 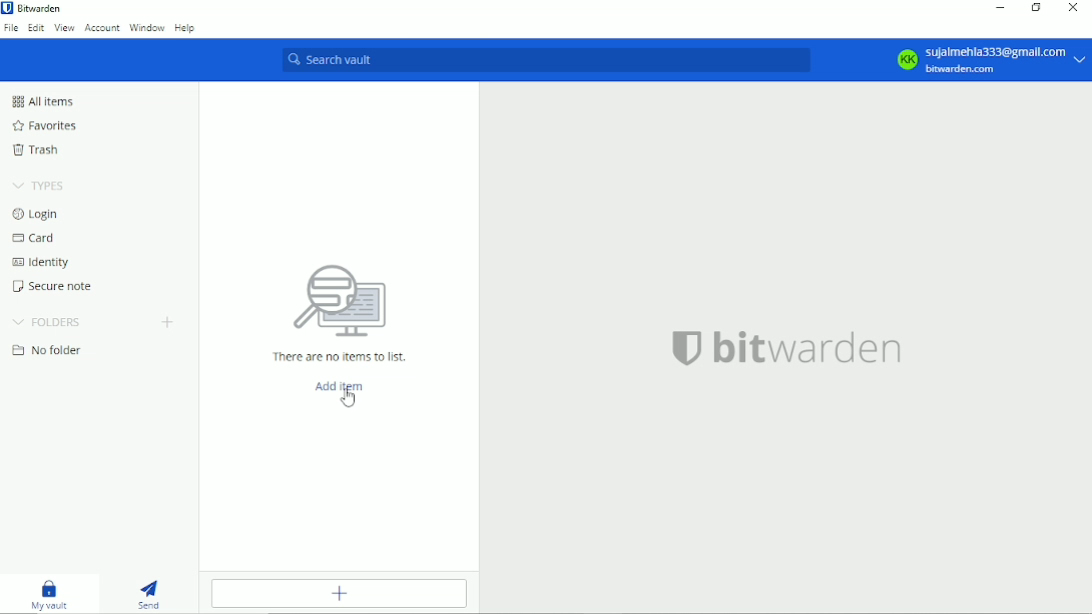 I want to click on View, so click(x=64, y=30).